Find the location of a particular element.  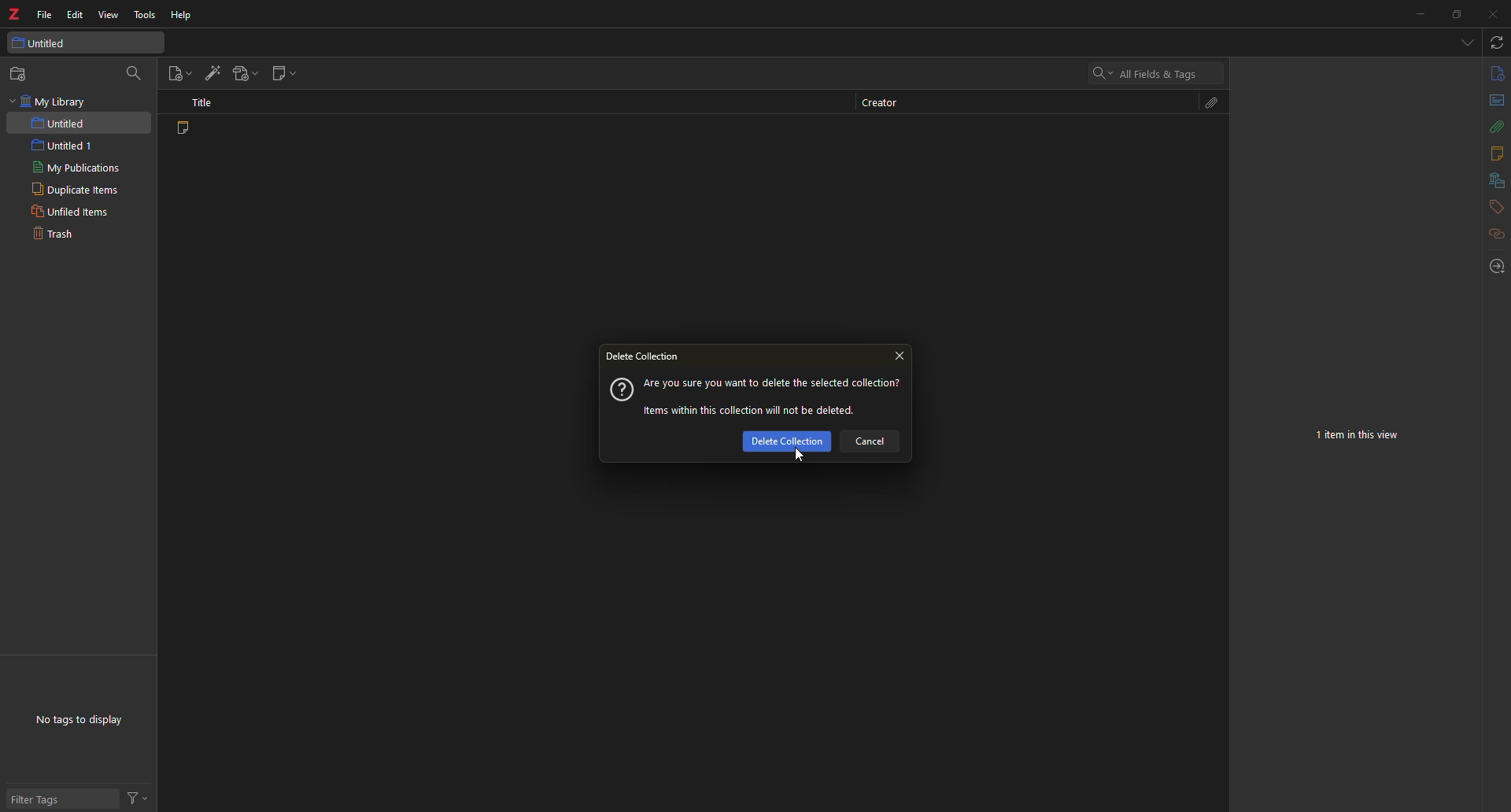

actions is located at coordinates (140, 798).